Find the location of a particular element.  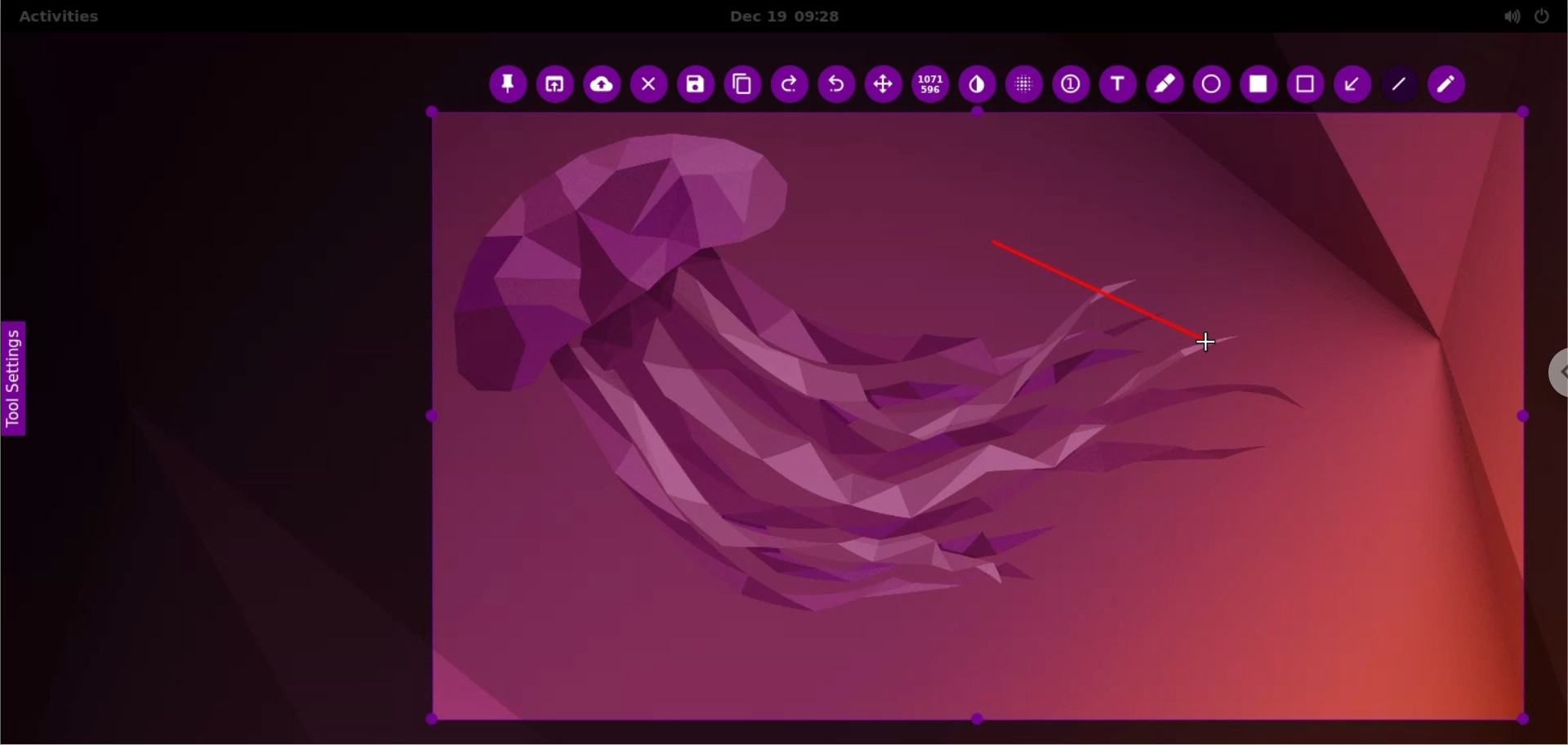

chrome options is located at coordinates (1549, 374).